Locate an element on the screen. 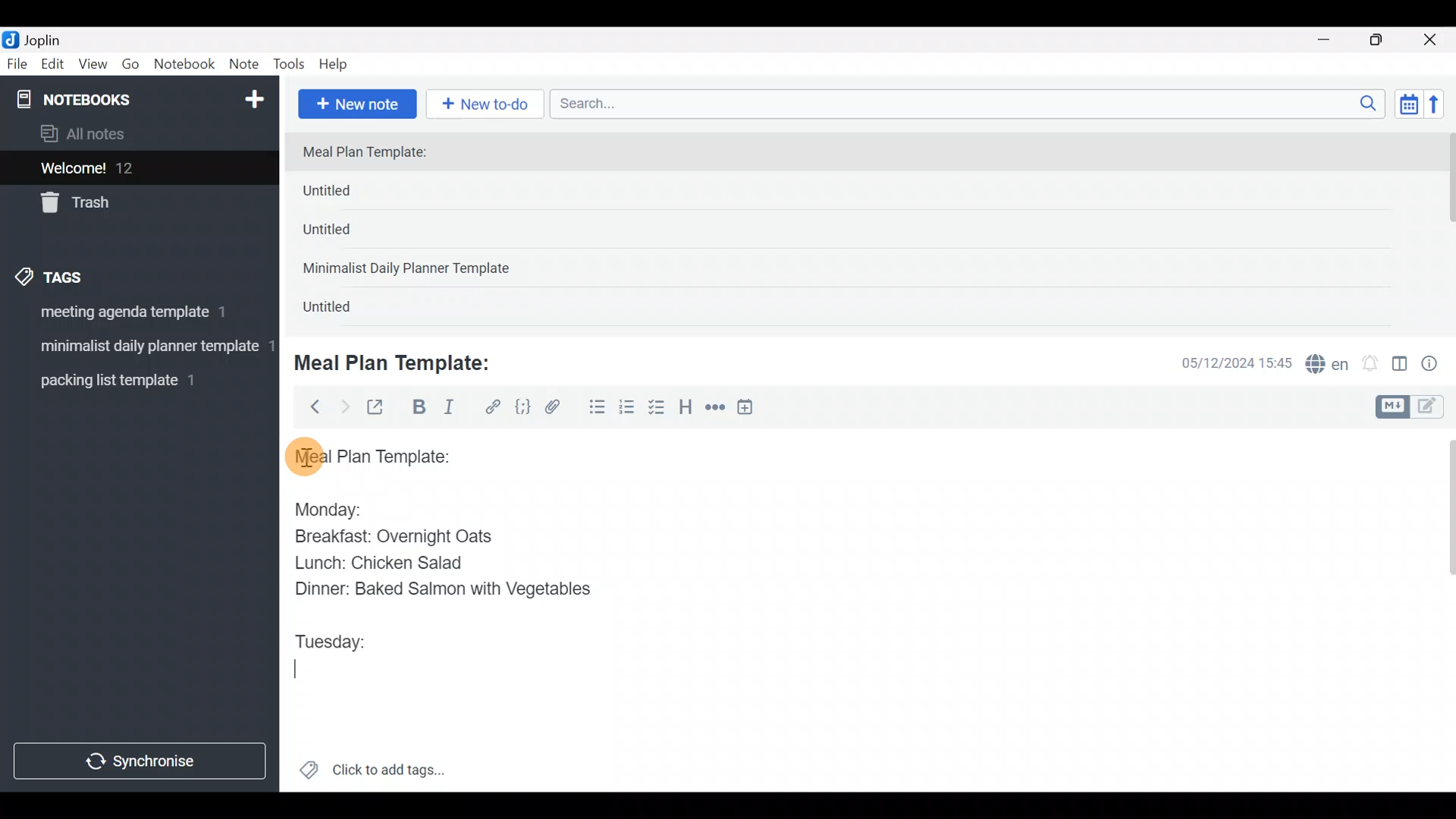 The height and width of the screenshot is (819, 1456). Code is located at coordinates (521, 406).